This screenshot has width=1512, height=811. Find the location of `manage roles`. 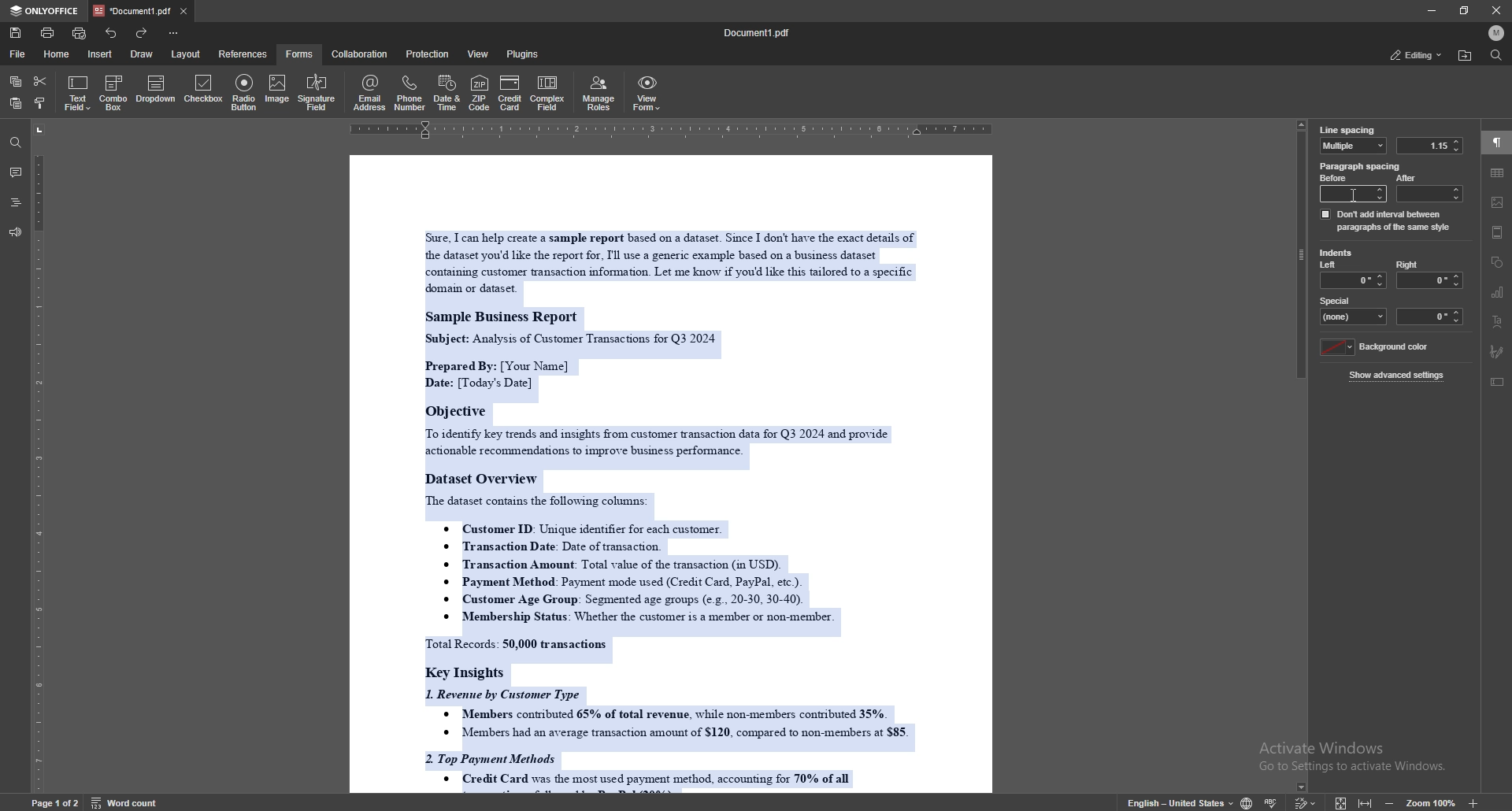

manage roles is located at coordinates (601, 92).